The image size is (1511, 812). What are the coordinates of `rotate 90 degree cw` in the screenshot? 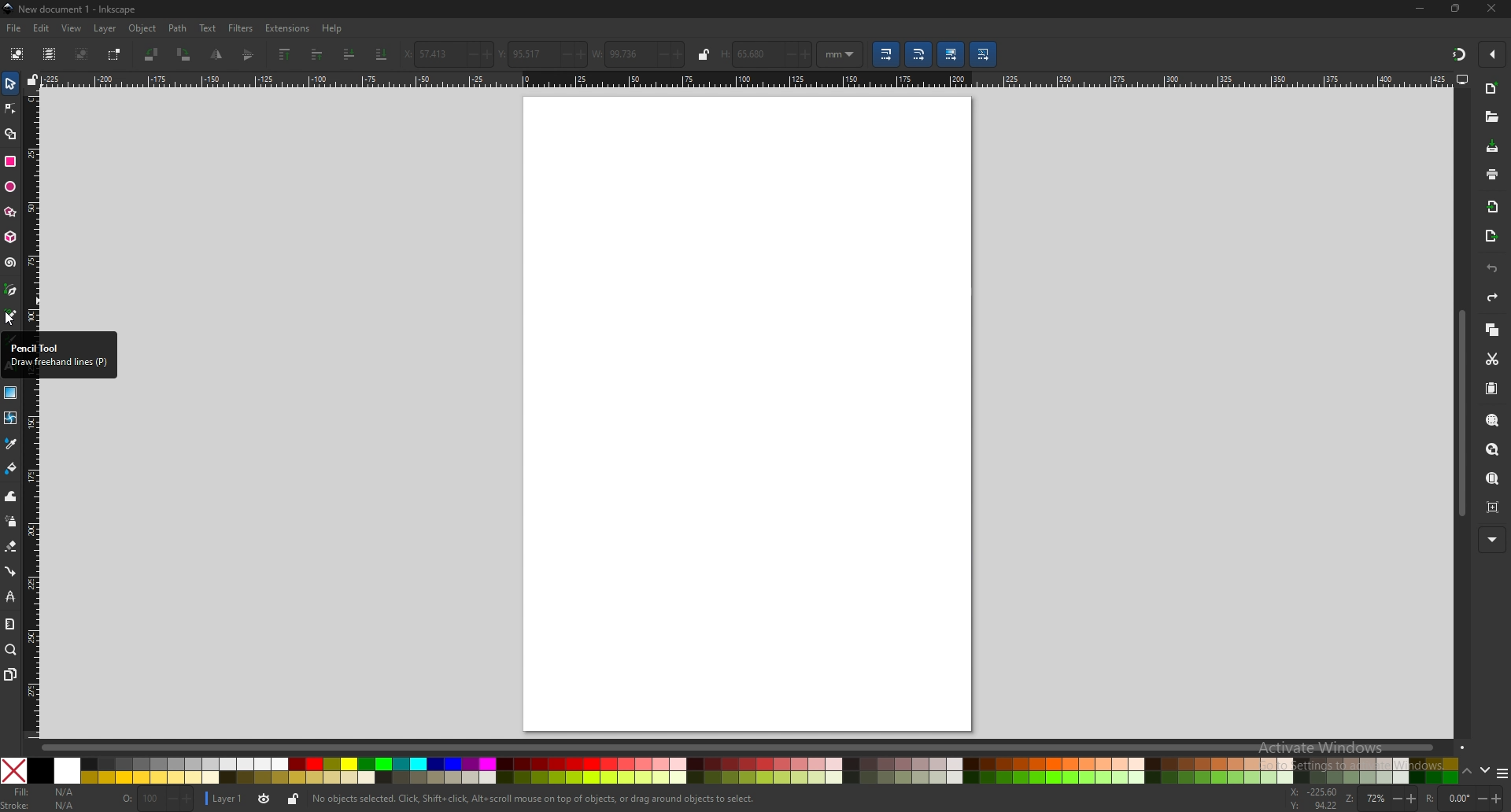 It's located at (183, 55).